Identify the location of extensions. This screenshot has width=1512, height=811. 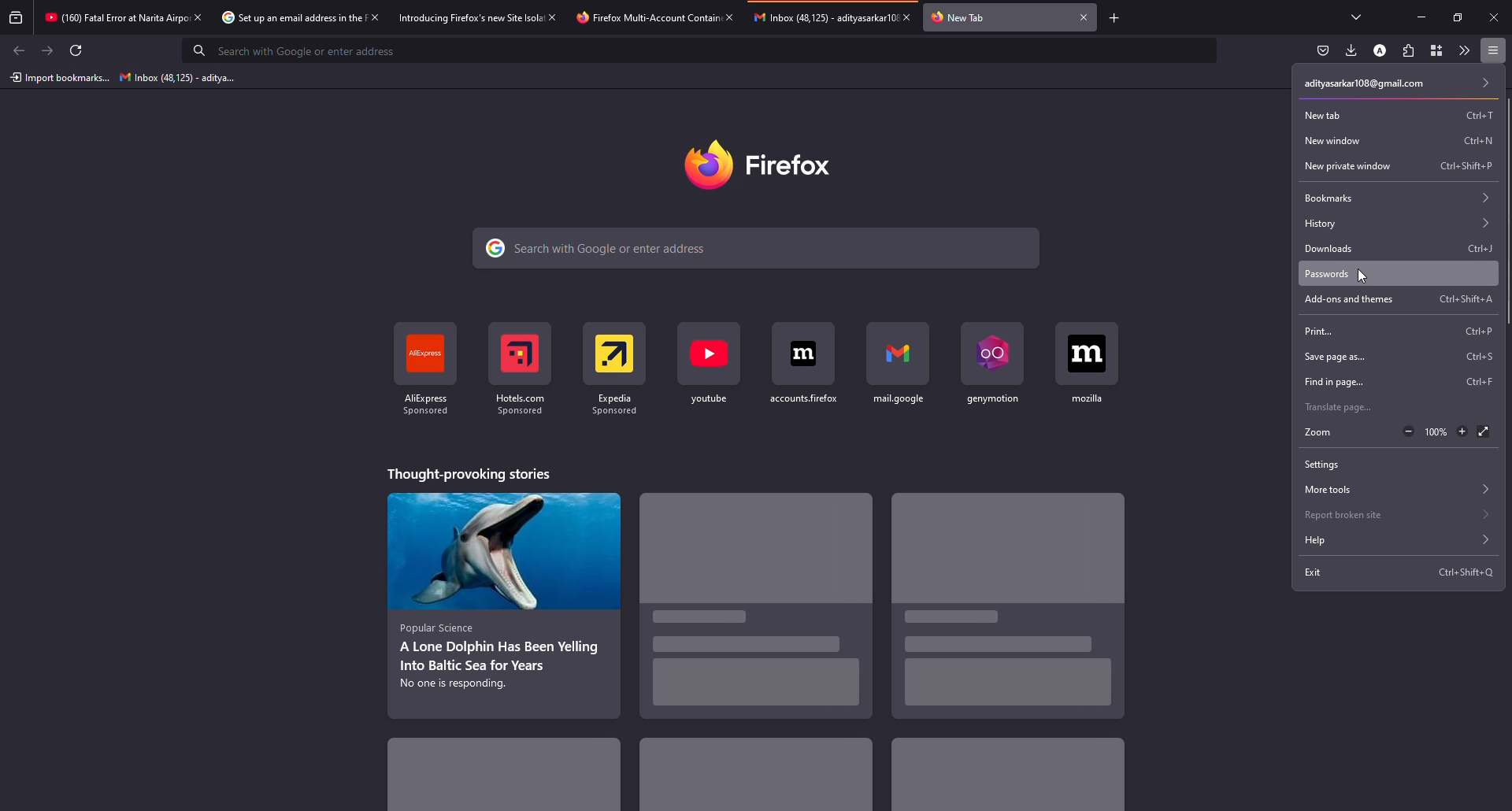
(1407, 50).